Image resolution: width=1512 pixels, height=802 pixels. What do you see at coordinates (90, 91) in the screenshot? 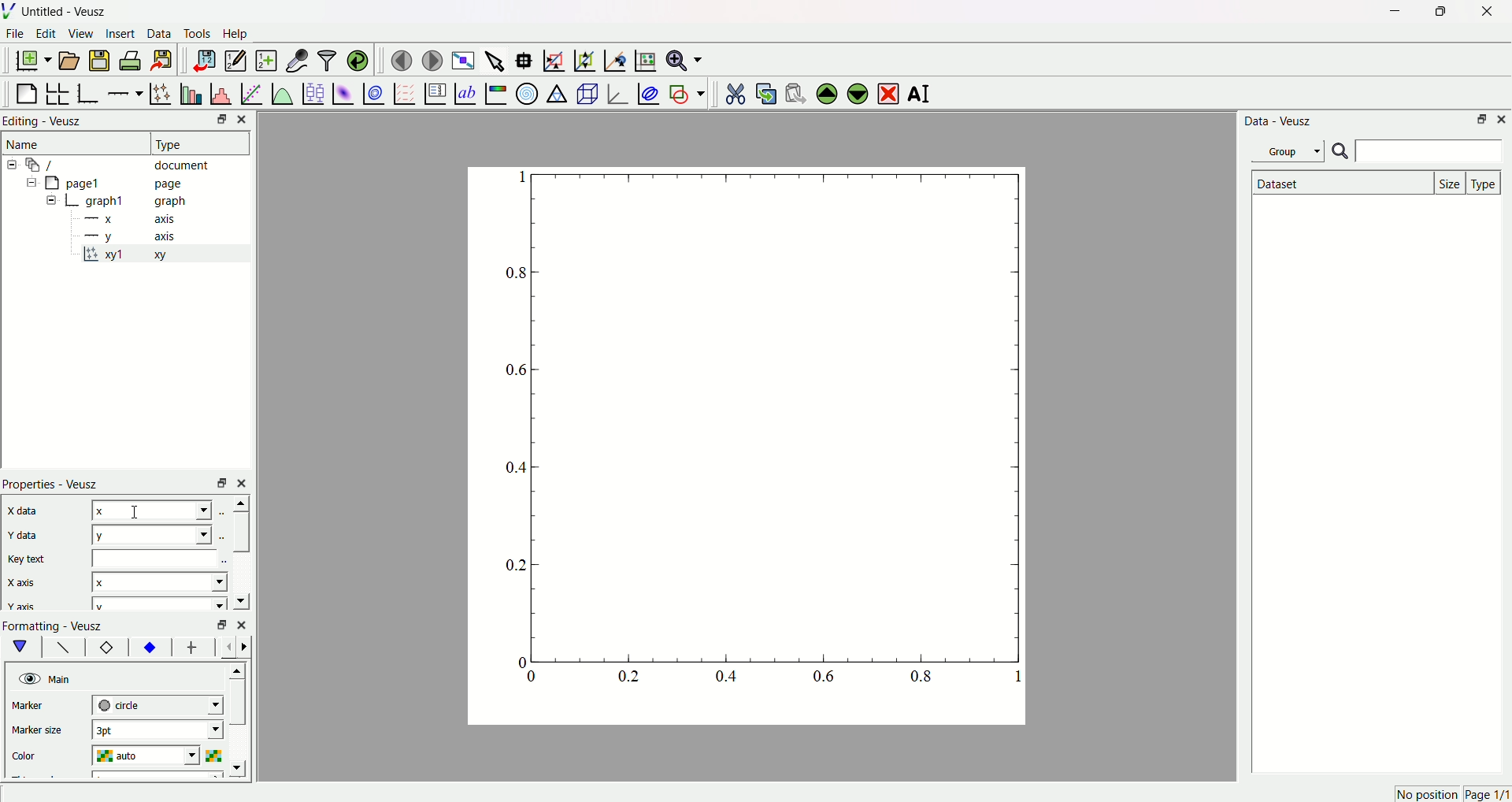
I see `base graphs` at bounding box center [90, 91].